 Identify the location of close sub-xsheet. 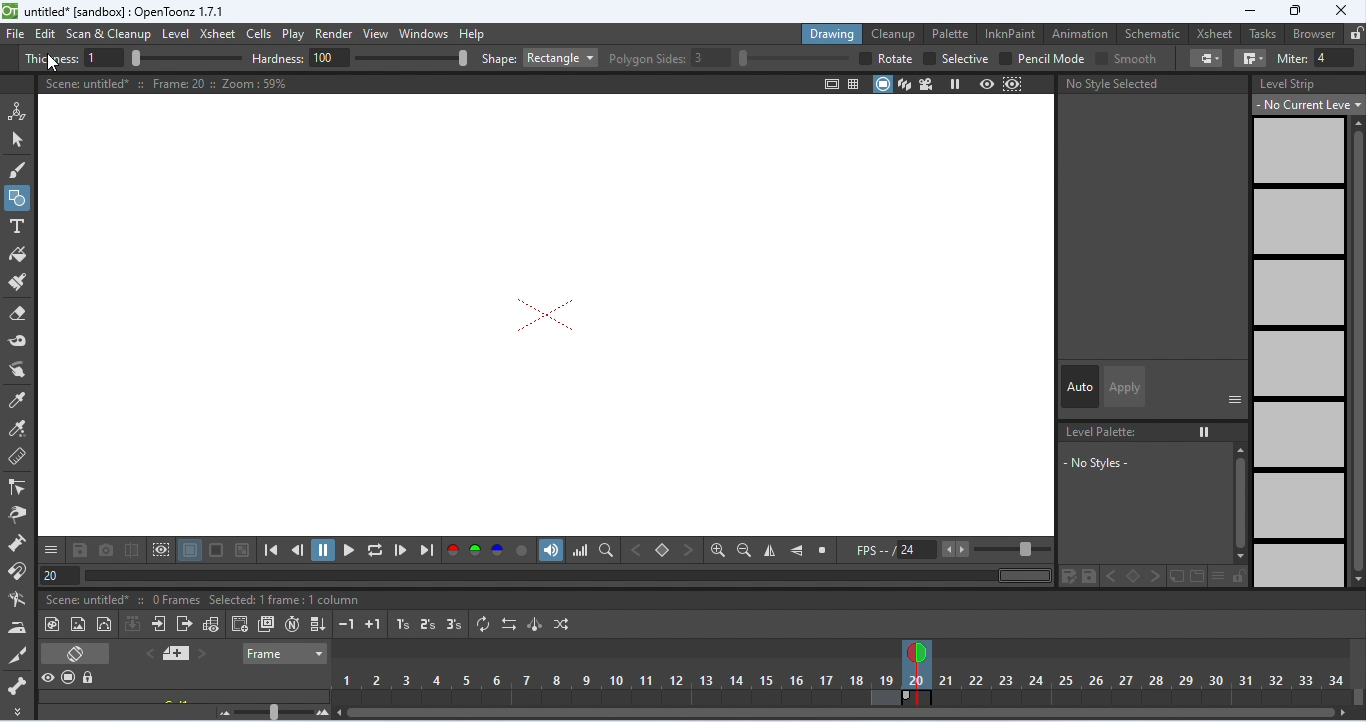
(184, 623).